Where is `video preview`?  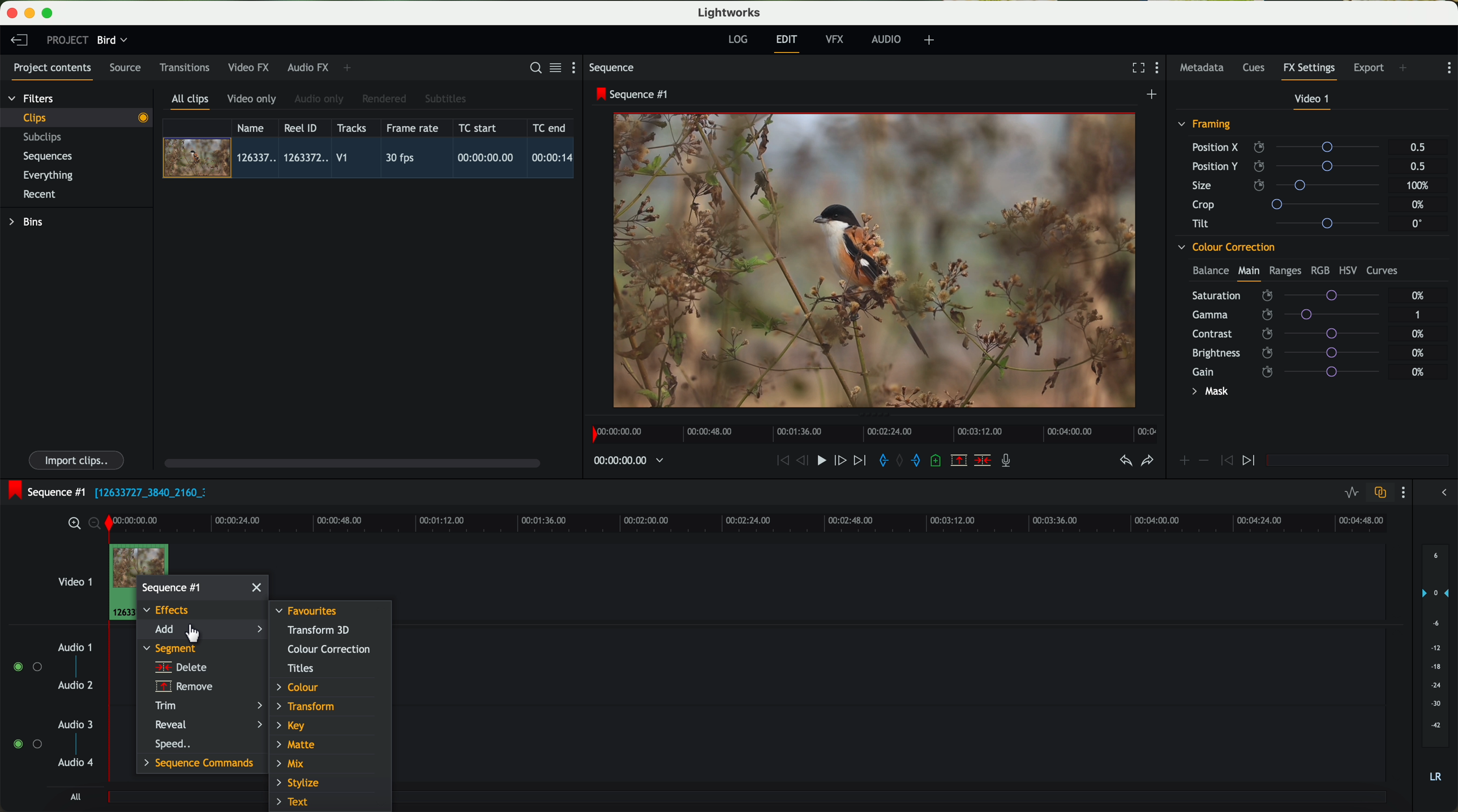 video preview is located at coordinates (880, 261).